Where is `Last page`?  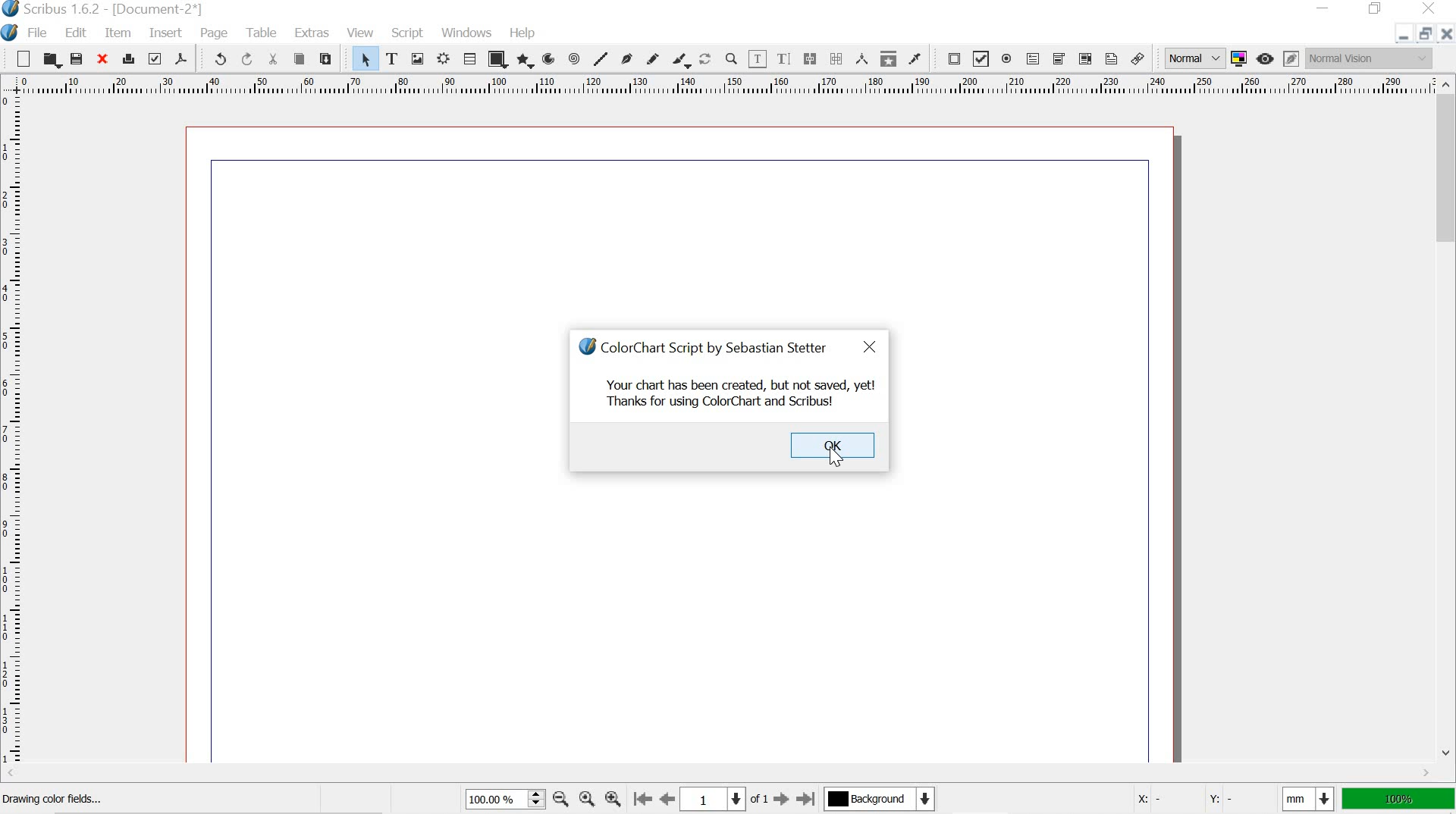 Last page is located at coordinates (807, 800).